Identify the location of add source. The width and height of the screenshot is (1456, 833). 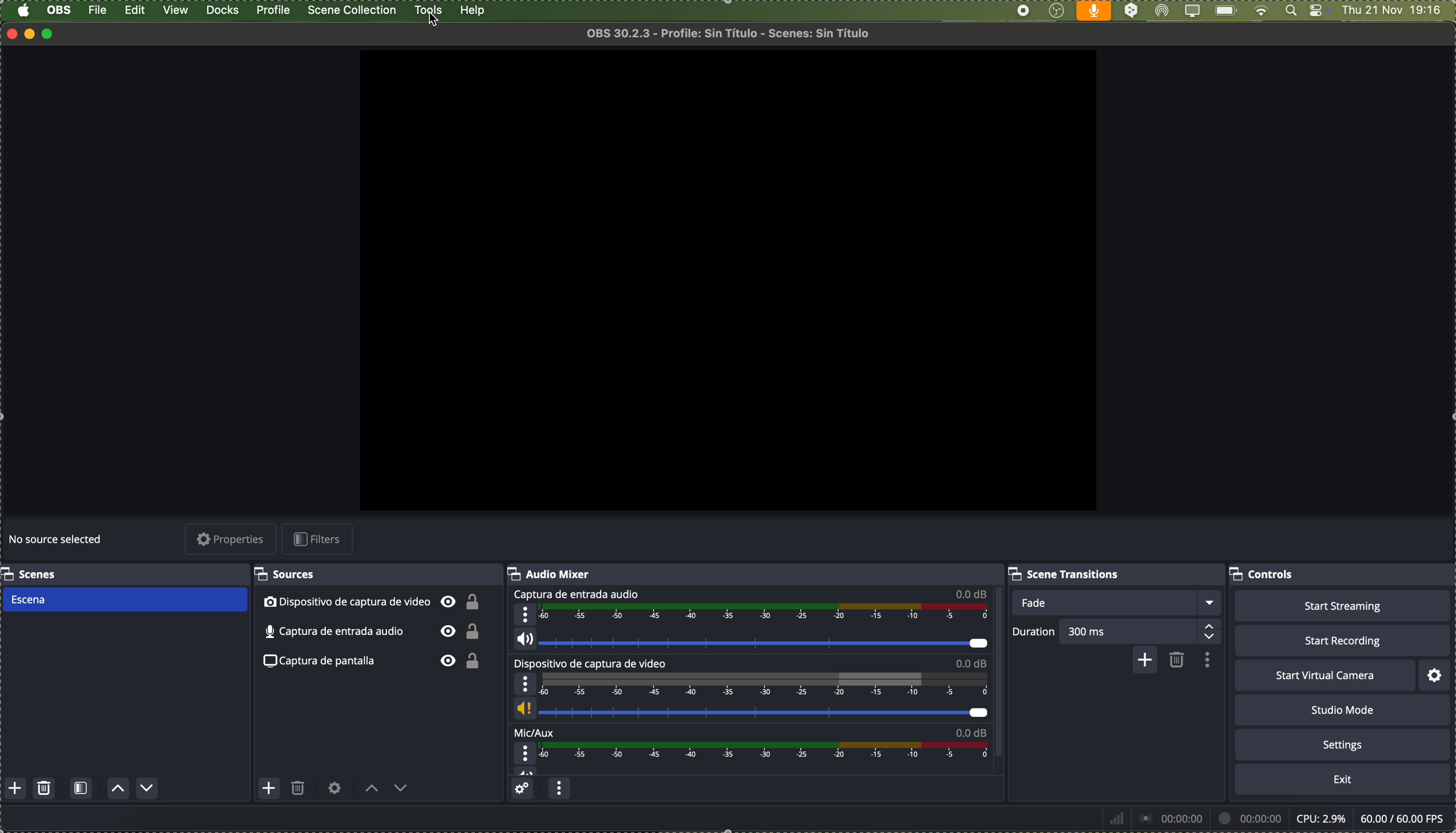
(269, 788).